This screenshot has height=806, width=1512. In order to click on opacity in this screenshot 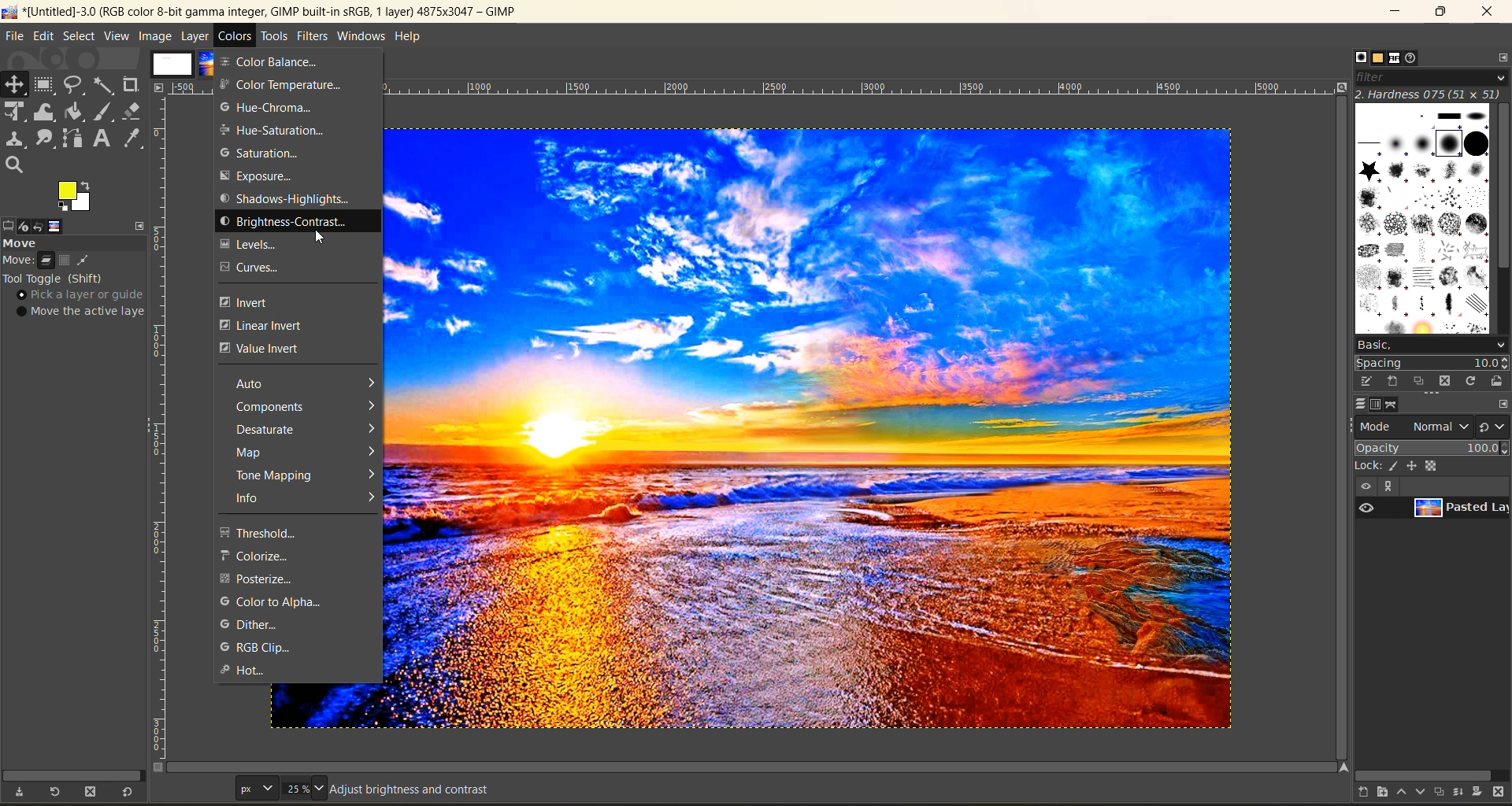, I will do `click(1432, 447)`.